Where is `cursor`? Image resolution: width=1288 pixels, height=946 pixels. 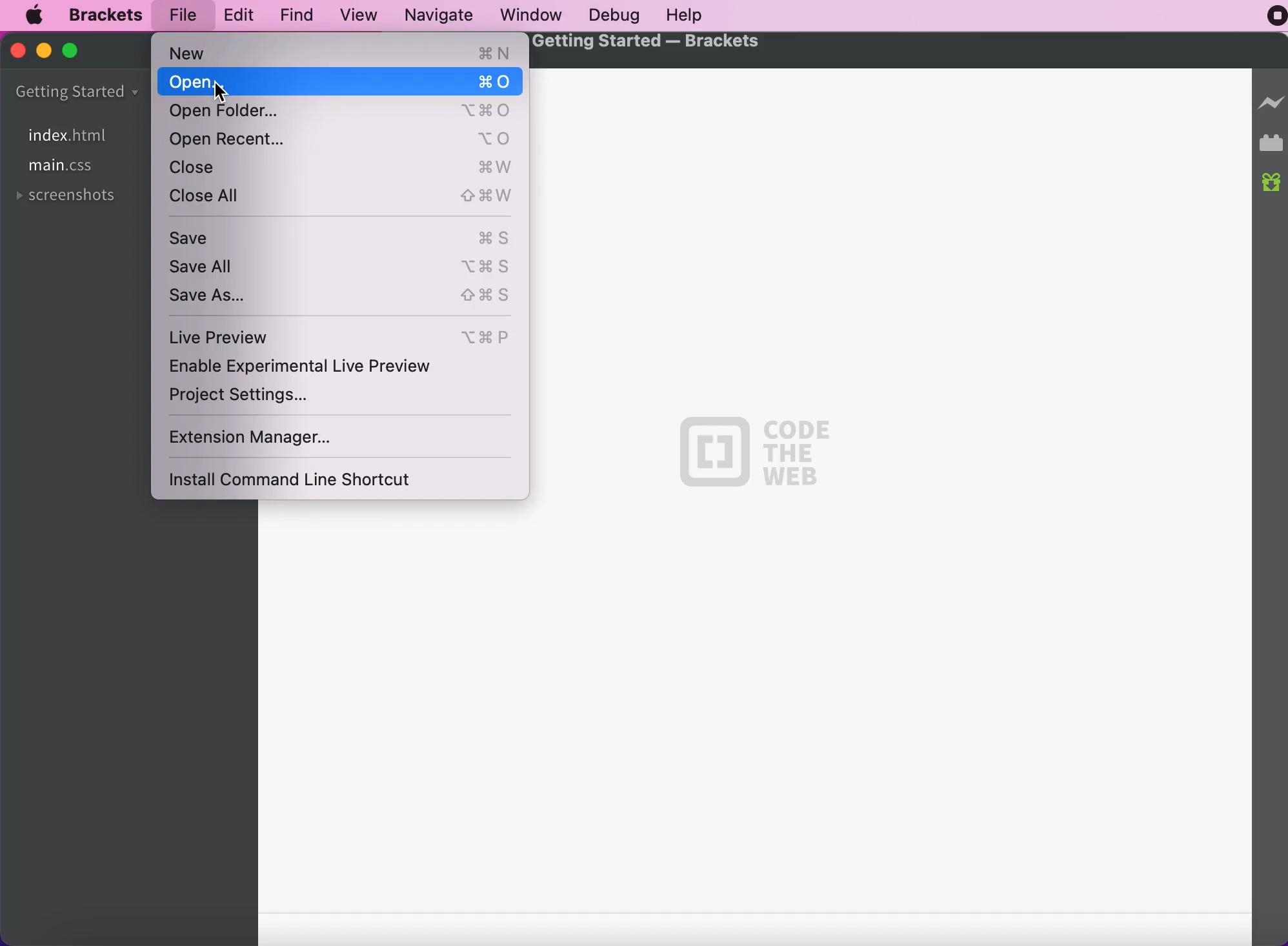
cursor is located at coordinates (217, 90).